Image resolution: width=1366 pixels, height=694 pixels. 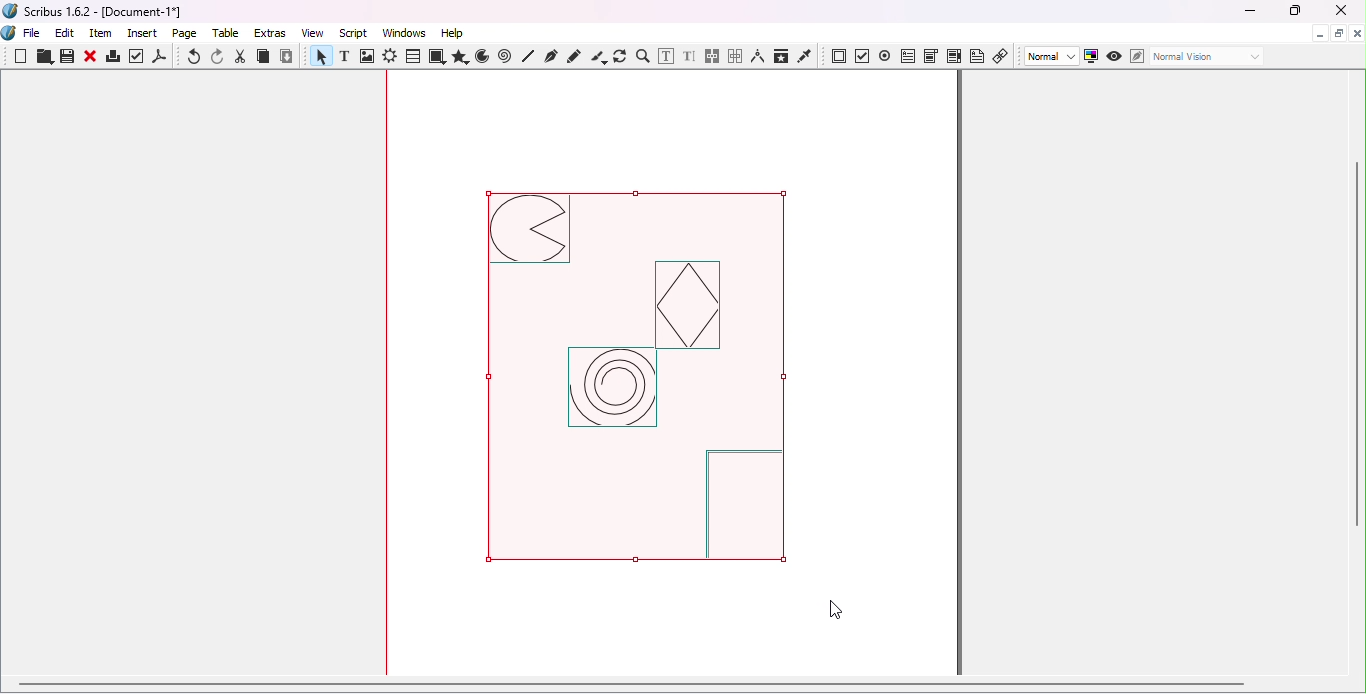 I want to click on Select item, so click(x=319, y=58).